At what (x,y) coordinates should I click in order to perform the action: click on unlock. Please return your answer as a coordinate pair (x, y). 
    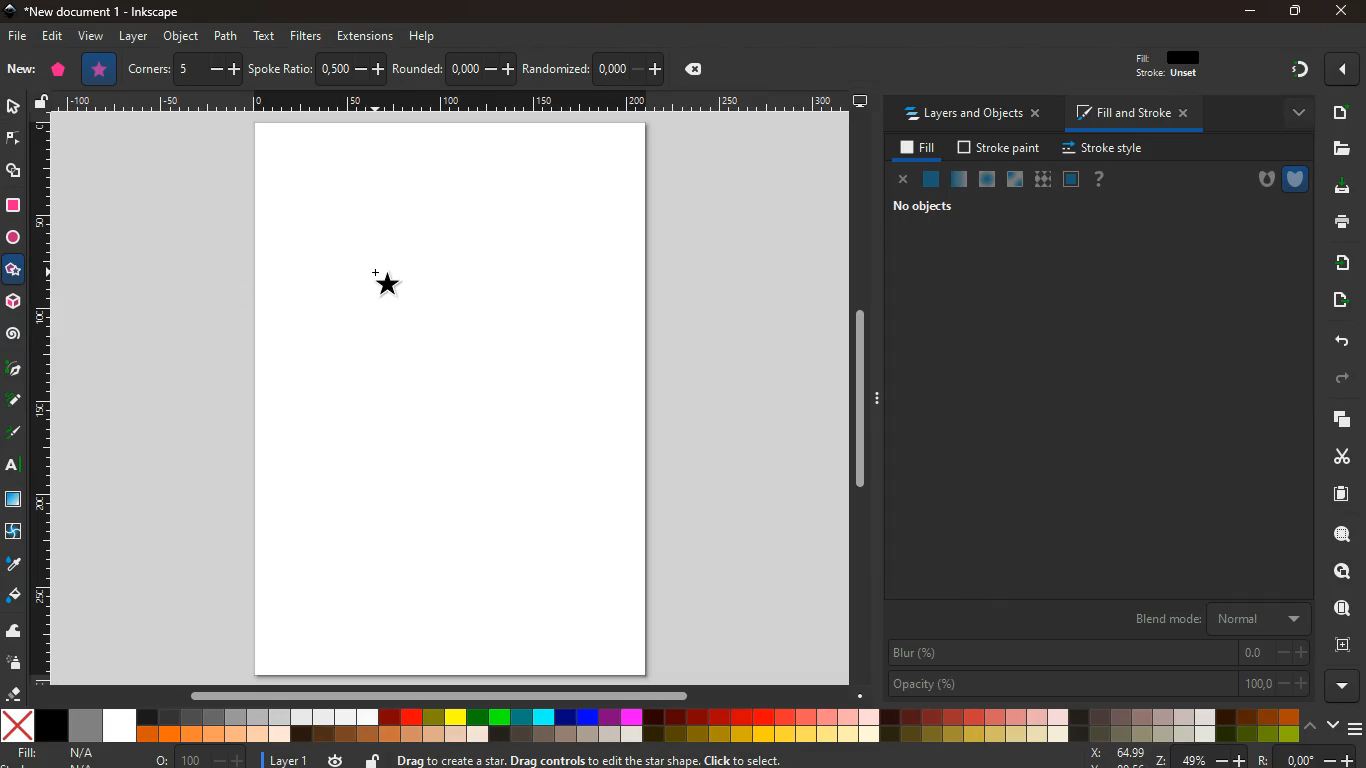
    Looking at the image, I should click on (372, 759).